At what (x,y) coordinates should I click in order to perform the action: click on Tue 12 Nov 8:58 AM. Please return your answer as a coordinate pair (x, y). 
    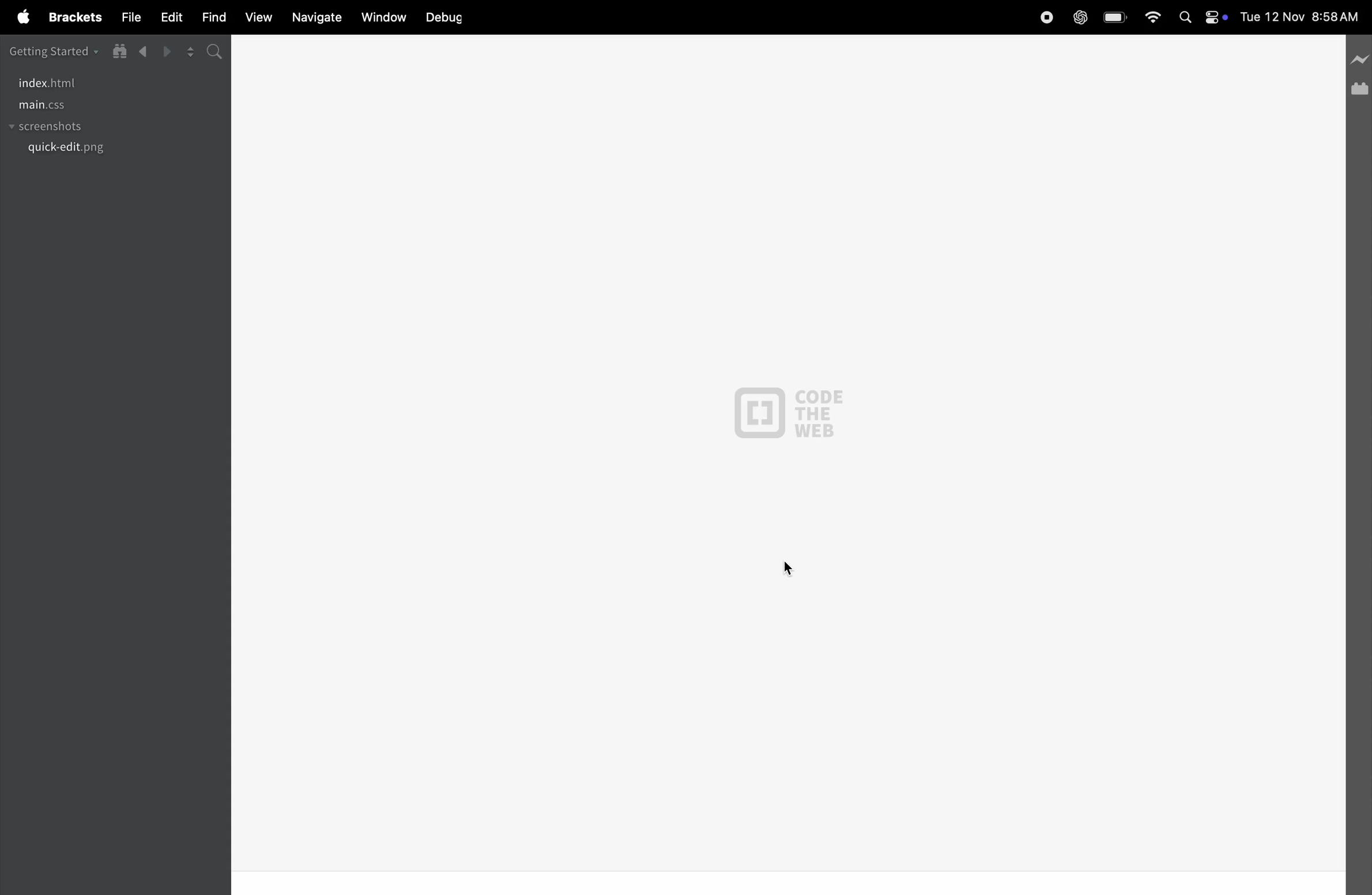
    Looking at the image, I should click on (1299, 18).